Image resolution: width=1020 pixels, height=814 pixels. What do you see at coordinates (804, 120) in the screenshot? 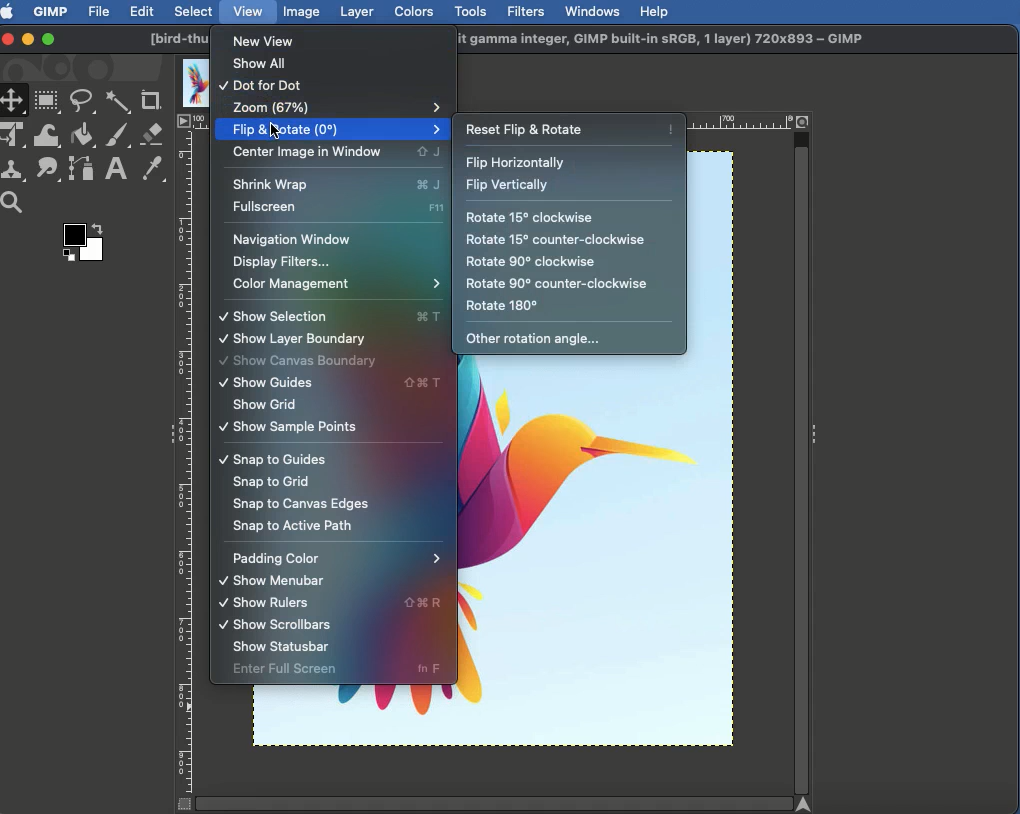
I see `Zoom image when window size changes` at bounding box center [804, 120].